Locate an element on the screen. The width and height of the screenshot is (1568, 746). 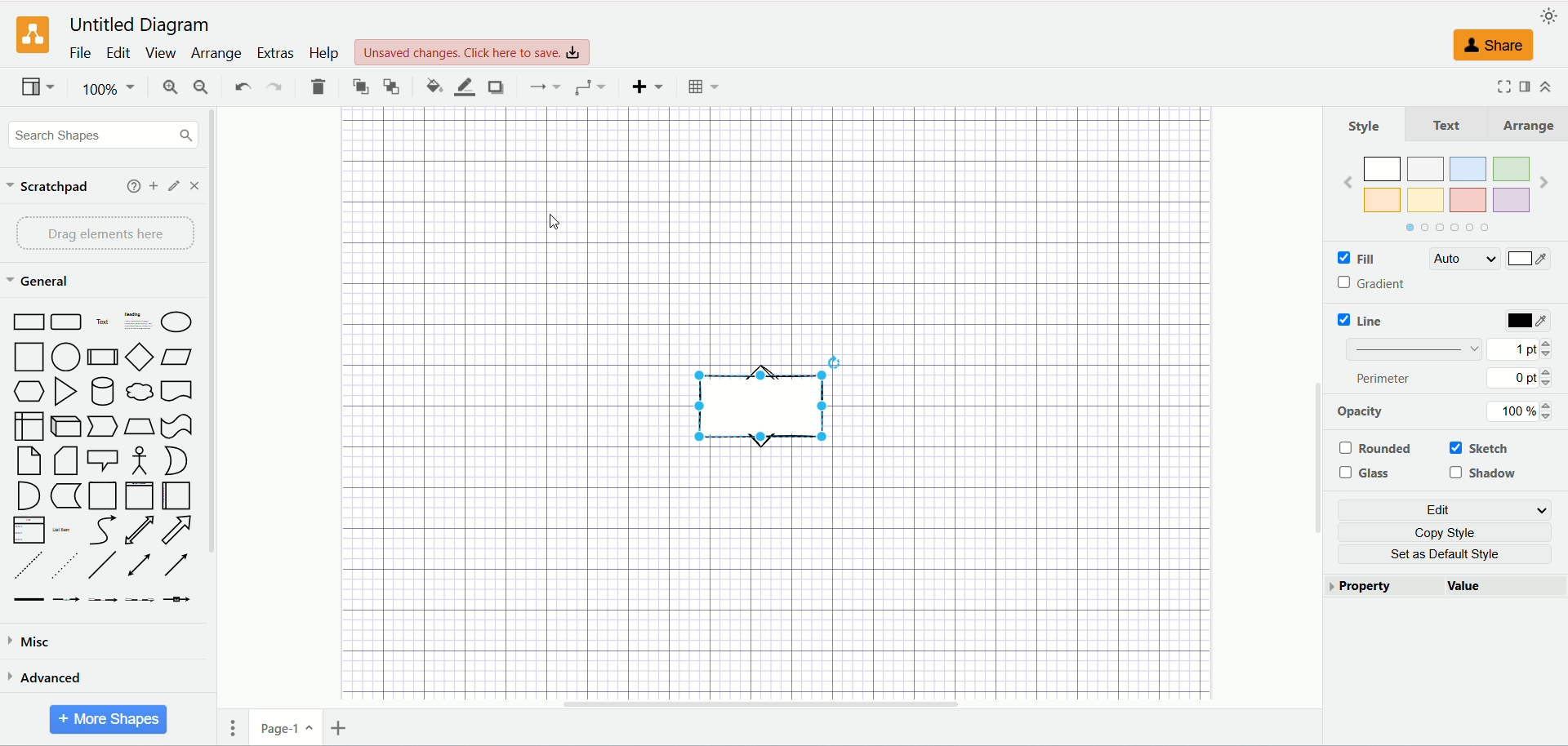
Step is located at coordinates (101, 426).